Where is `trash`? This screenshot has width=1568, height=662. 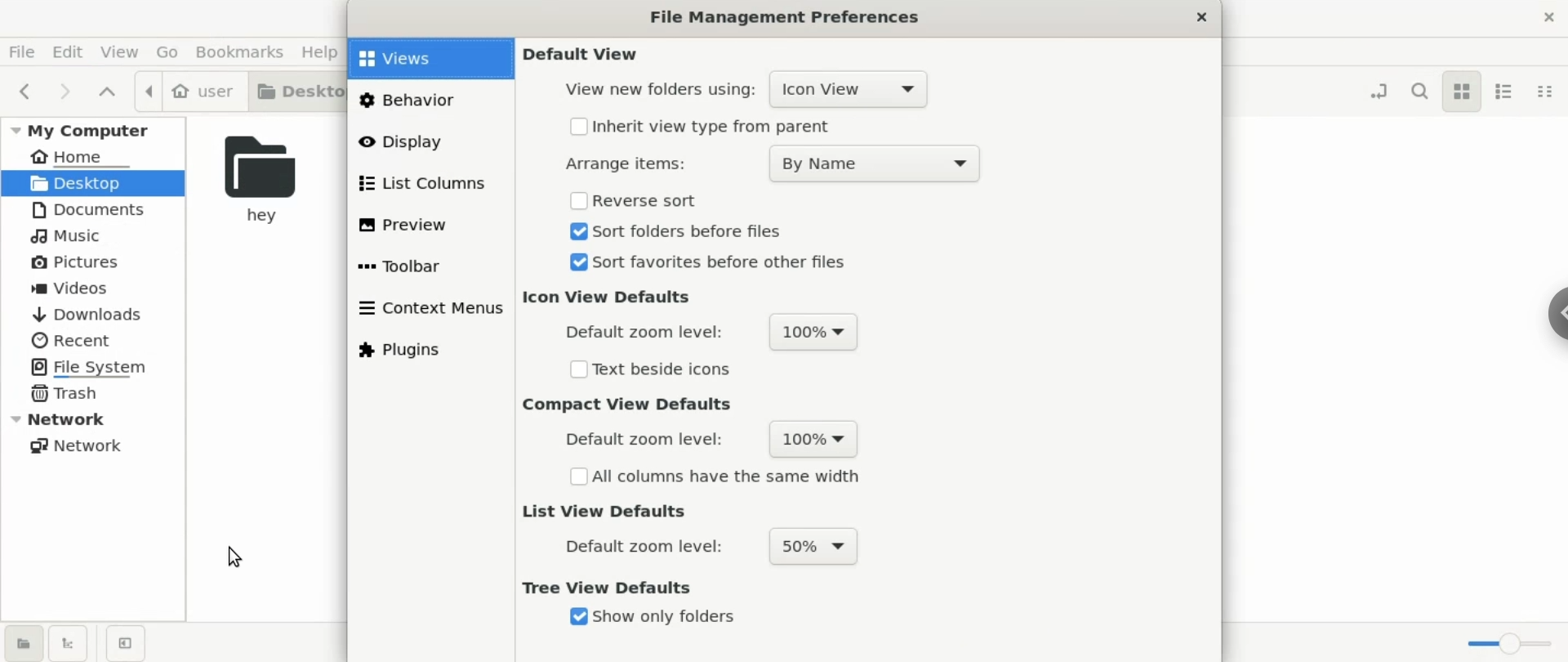 trash is located at coordinates (73, 396).